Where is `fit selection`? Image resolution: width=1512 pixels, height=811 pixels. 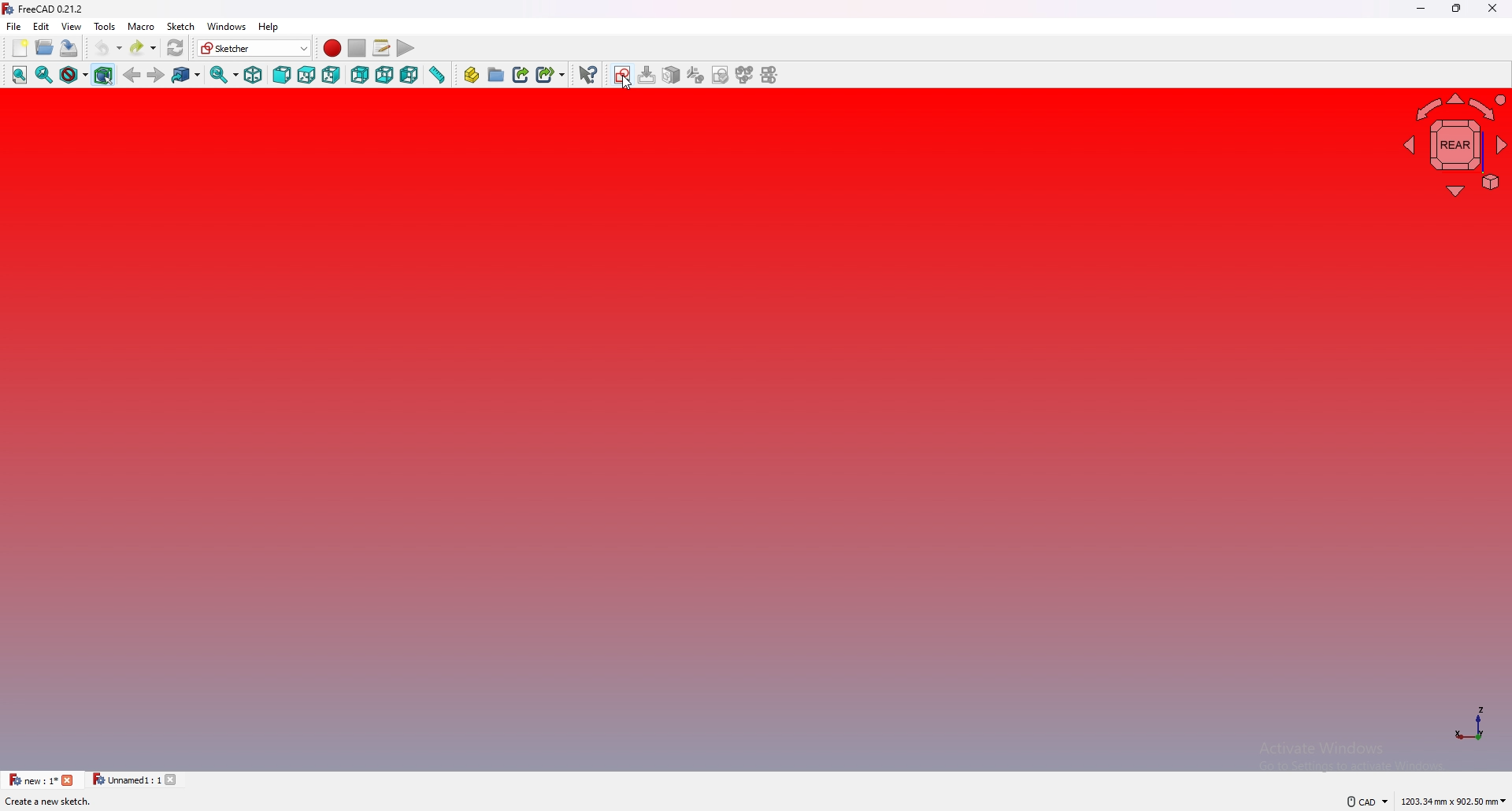 fit selection is located at coordinates (44, 74).